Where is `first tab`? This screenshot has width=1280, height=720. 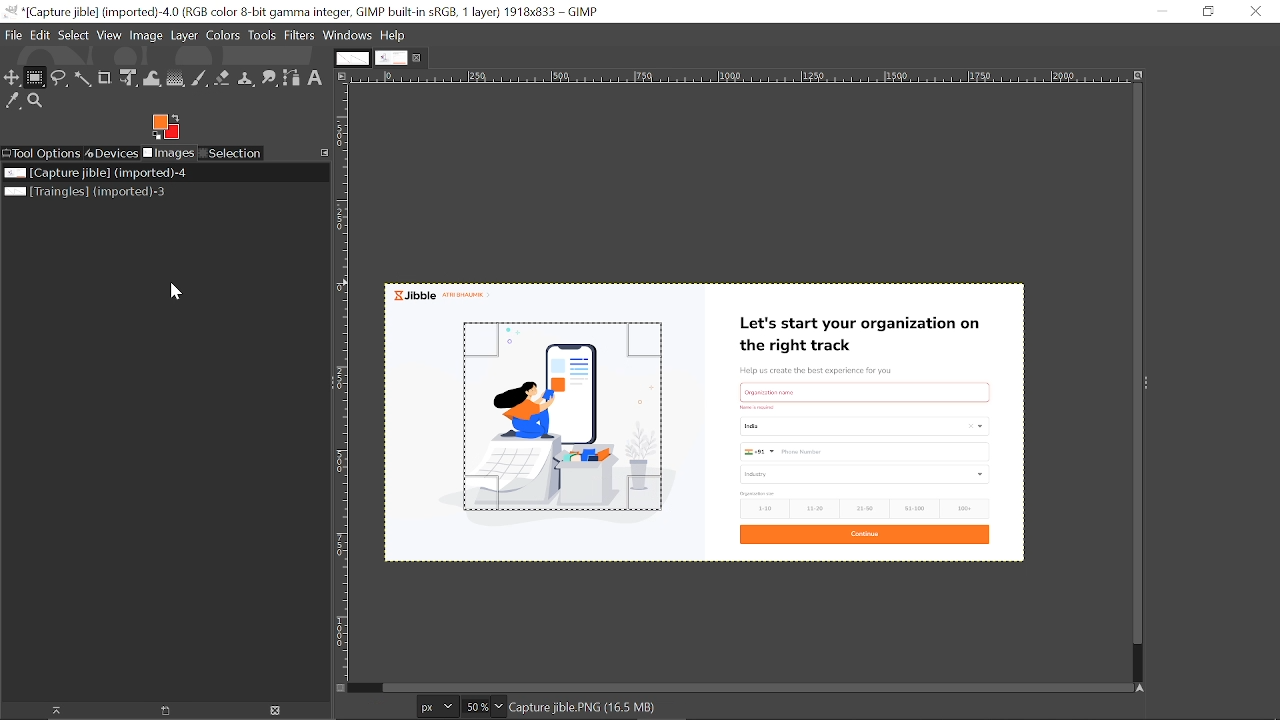
first tab is located at coordinates (351, 58).